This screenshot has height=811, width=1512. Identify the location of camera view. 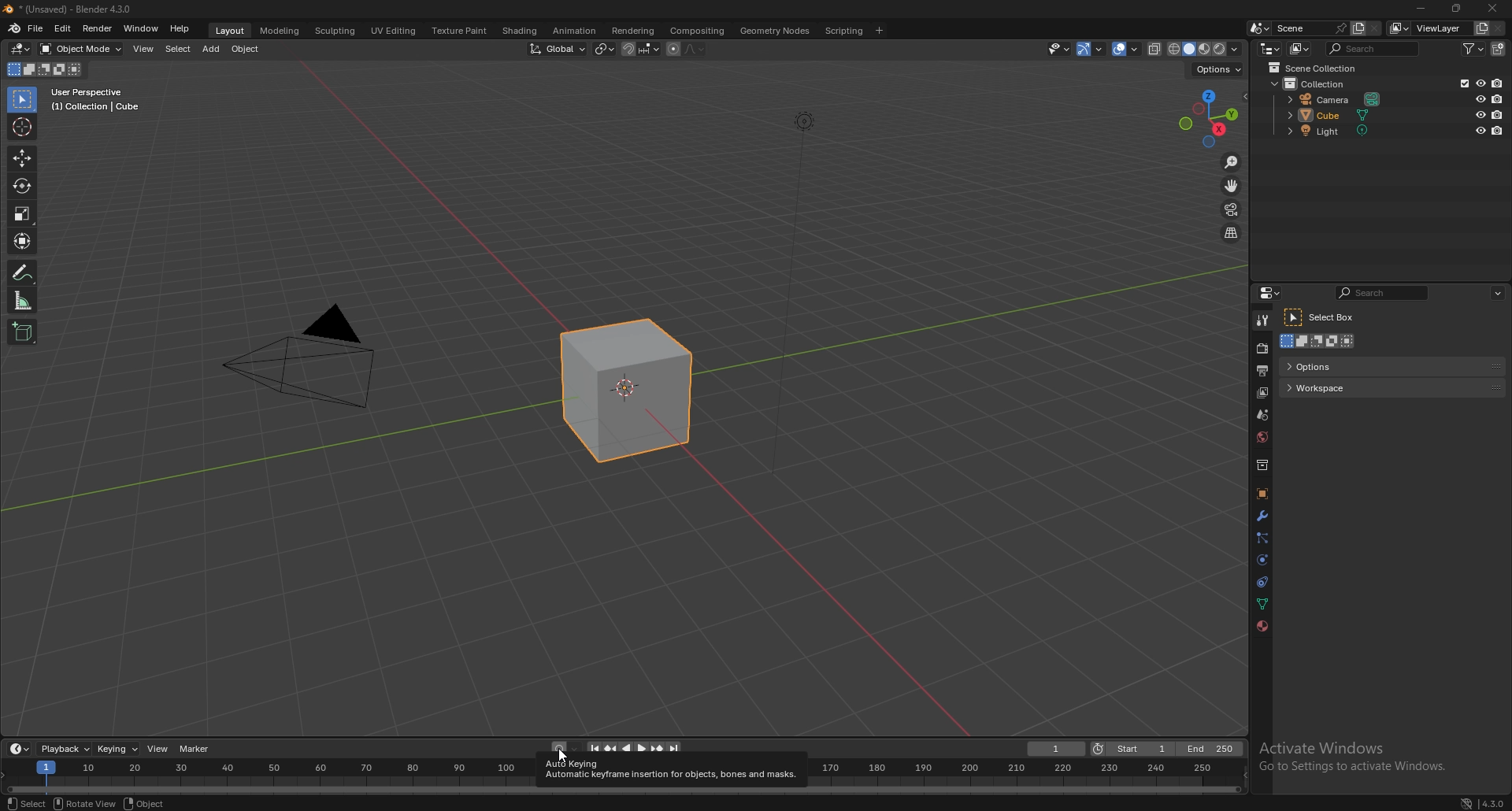
(1232, 209).